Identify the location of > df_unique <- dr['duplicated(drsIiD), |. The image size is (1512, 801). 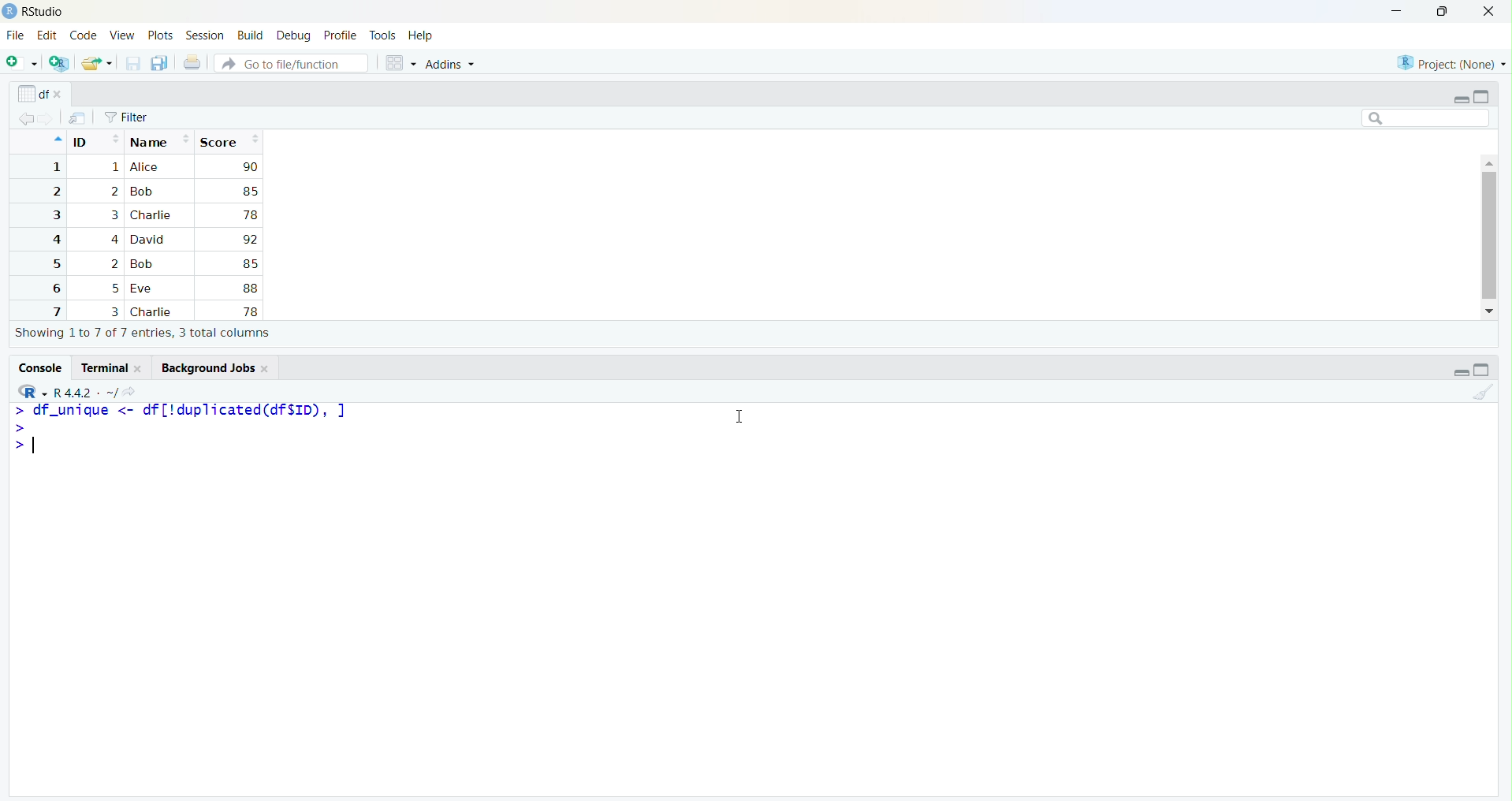
(192, 410).